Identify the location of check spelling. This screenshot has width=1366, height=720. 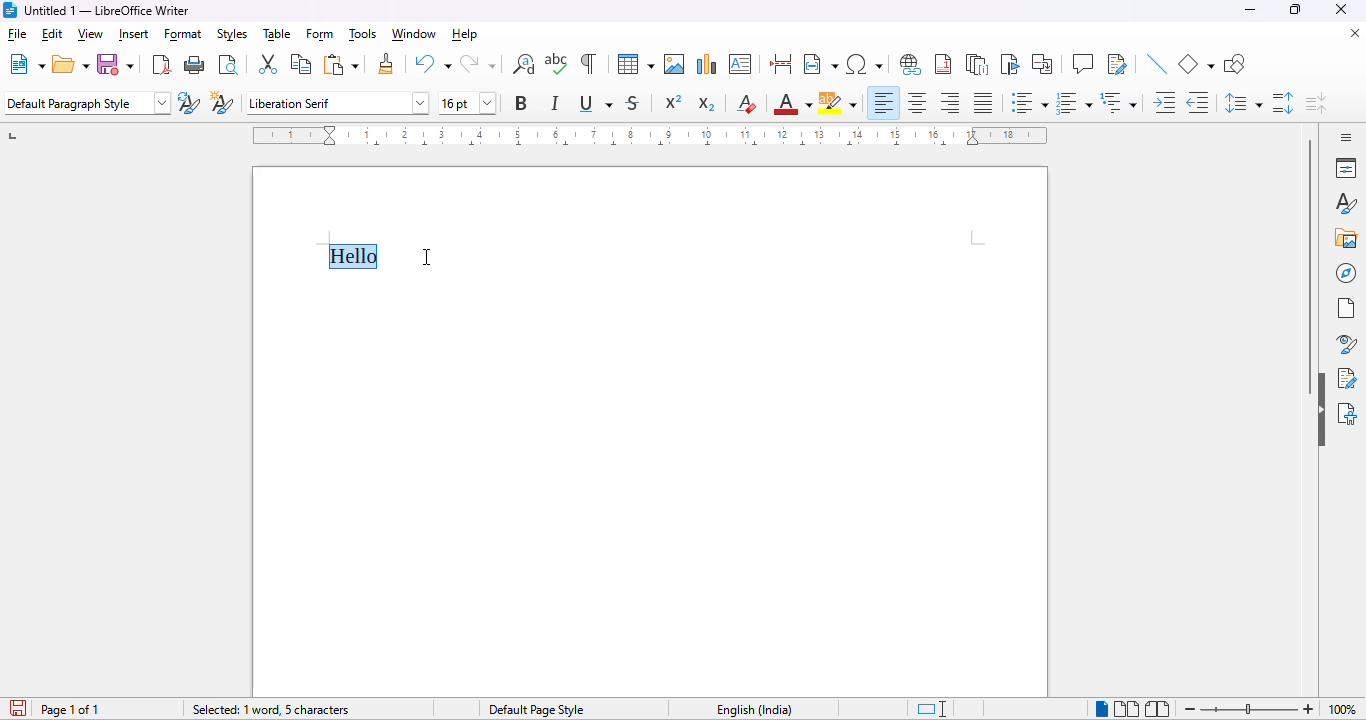
(557, 63).